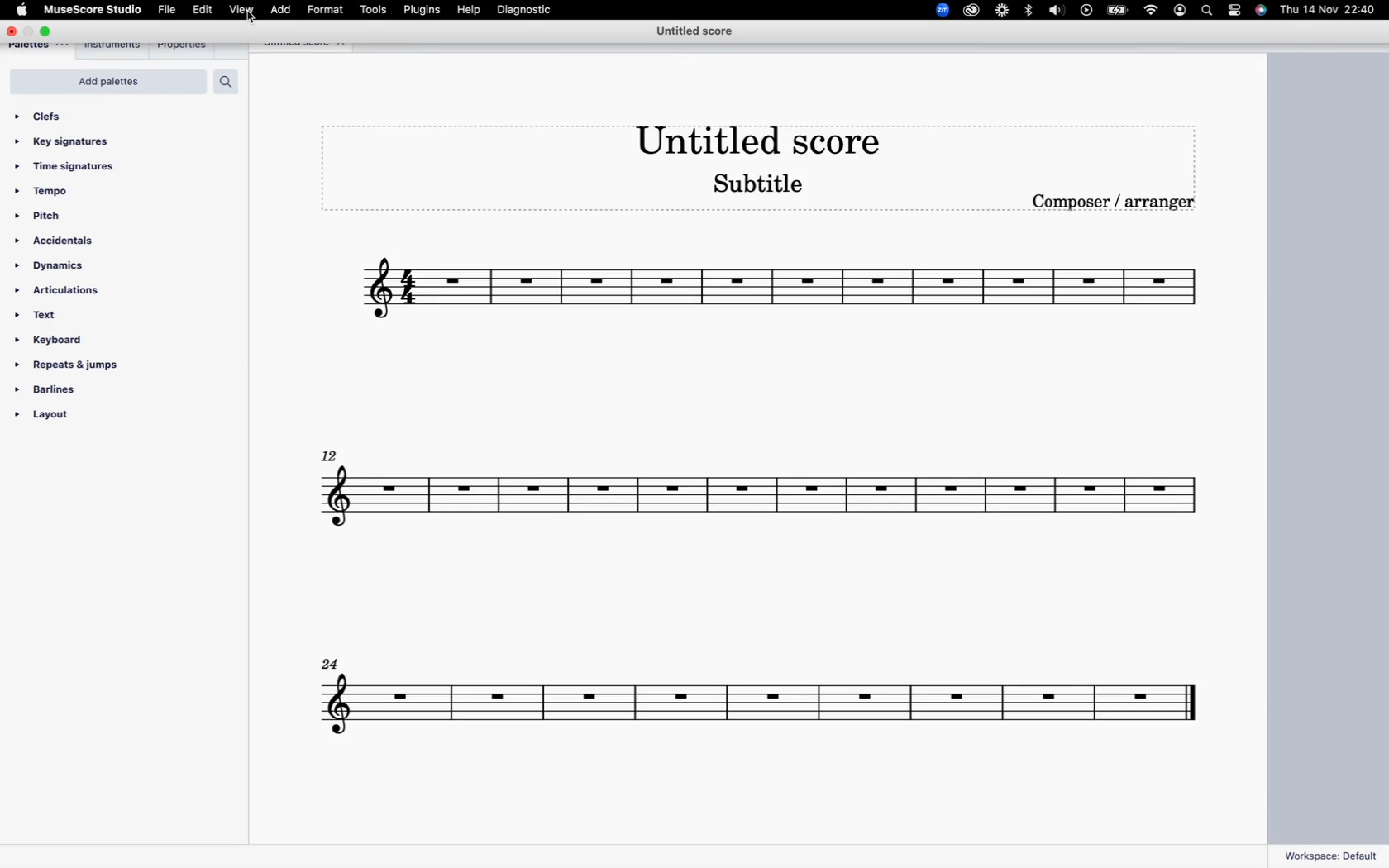 This screenshot has width=1389, height=868. Describe the element at coordinates (694, 33) in the screenshot. I see `score title` at that location.